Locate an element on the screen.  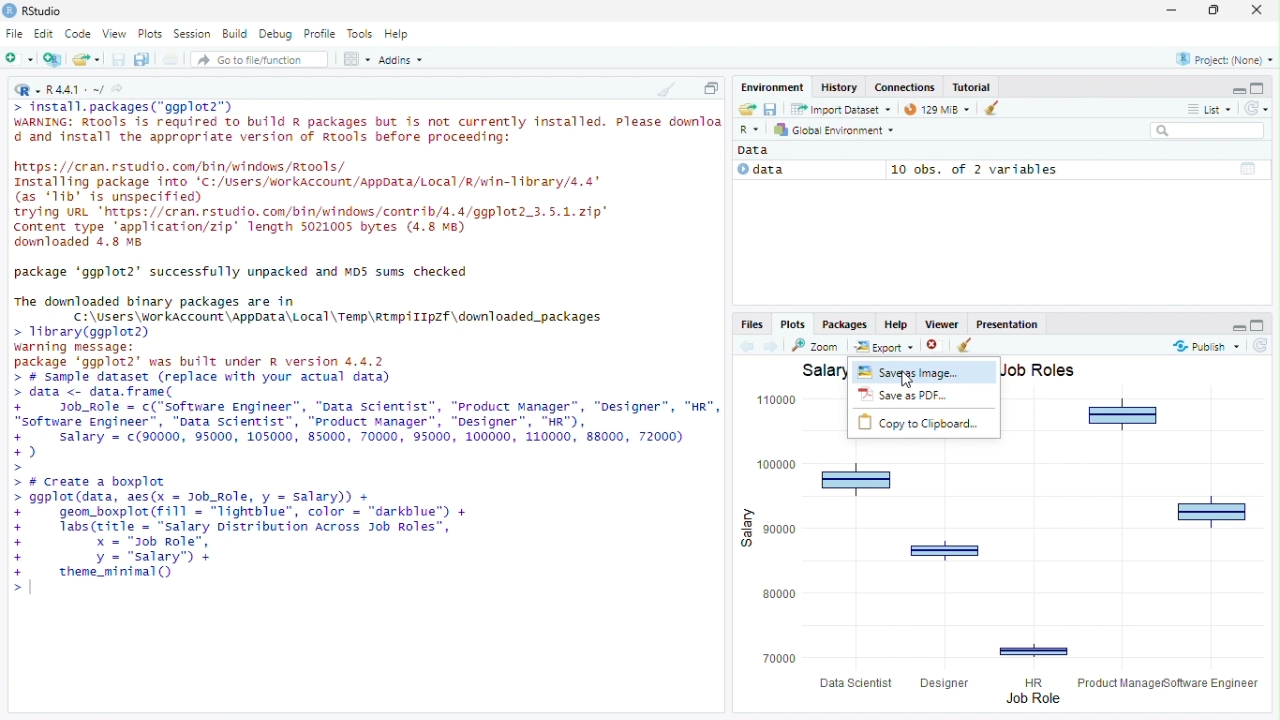
Minimize is located at coordinates (1170, 11).